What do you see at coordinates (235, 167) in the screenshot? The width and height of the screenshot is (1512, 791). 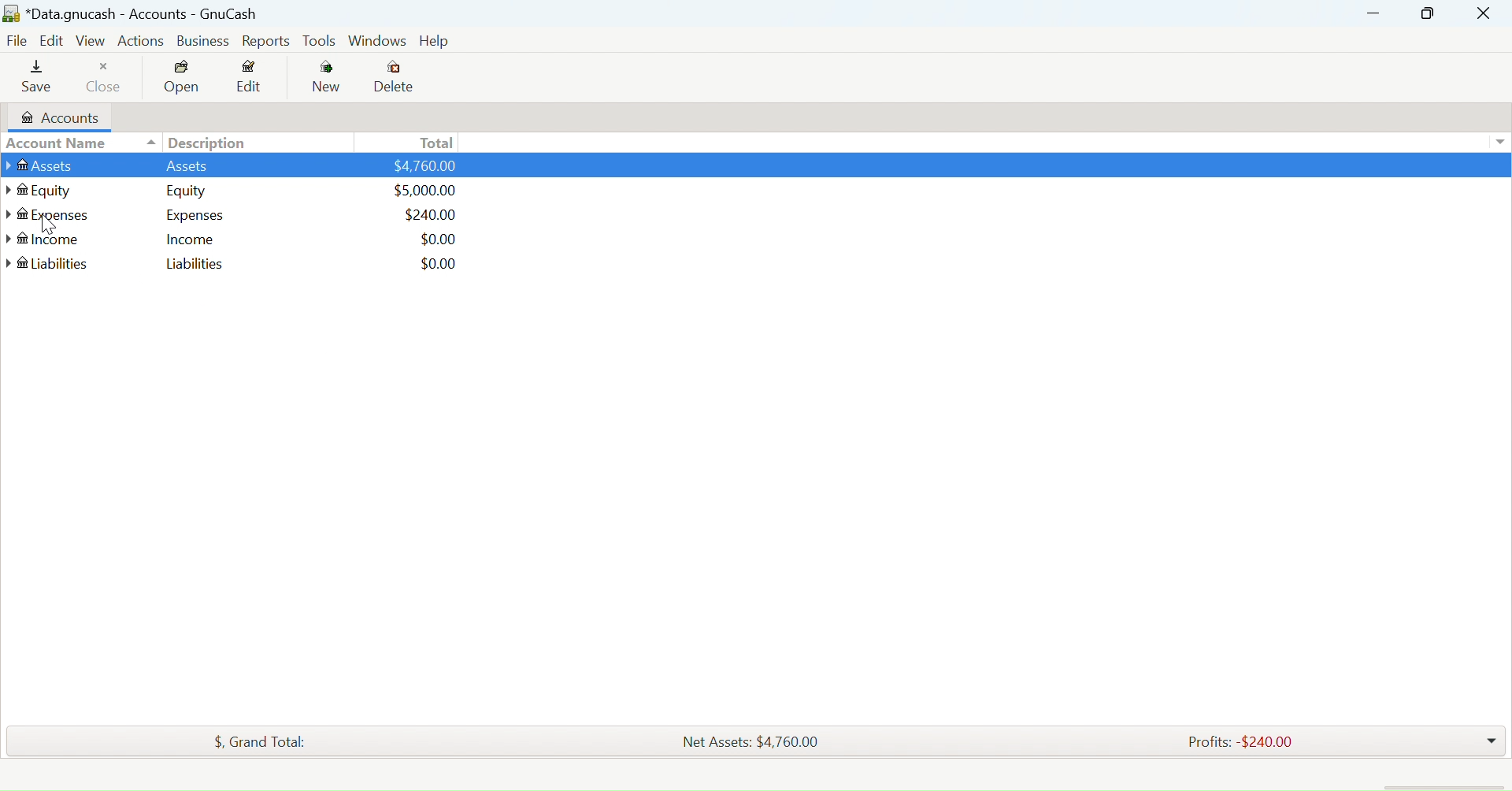 I see `Assets Assets $4,760` at bounding box center [235, 167].